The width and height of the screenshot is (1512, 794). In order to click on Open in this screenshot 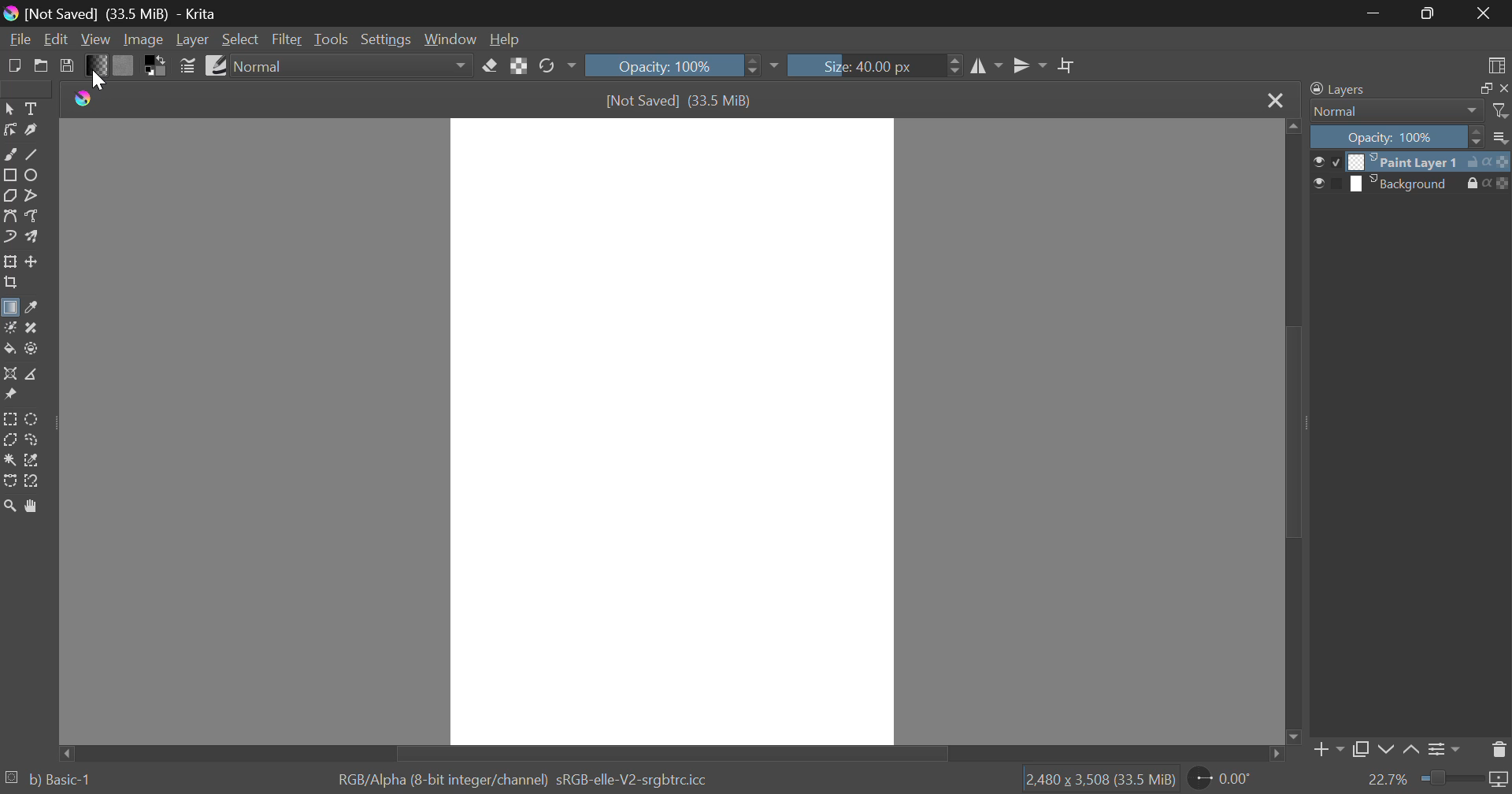, I will do `click(41, 65)`.